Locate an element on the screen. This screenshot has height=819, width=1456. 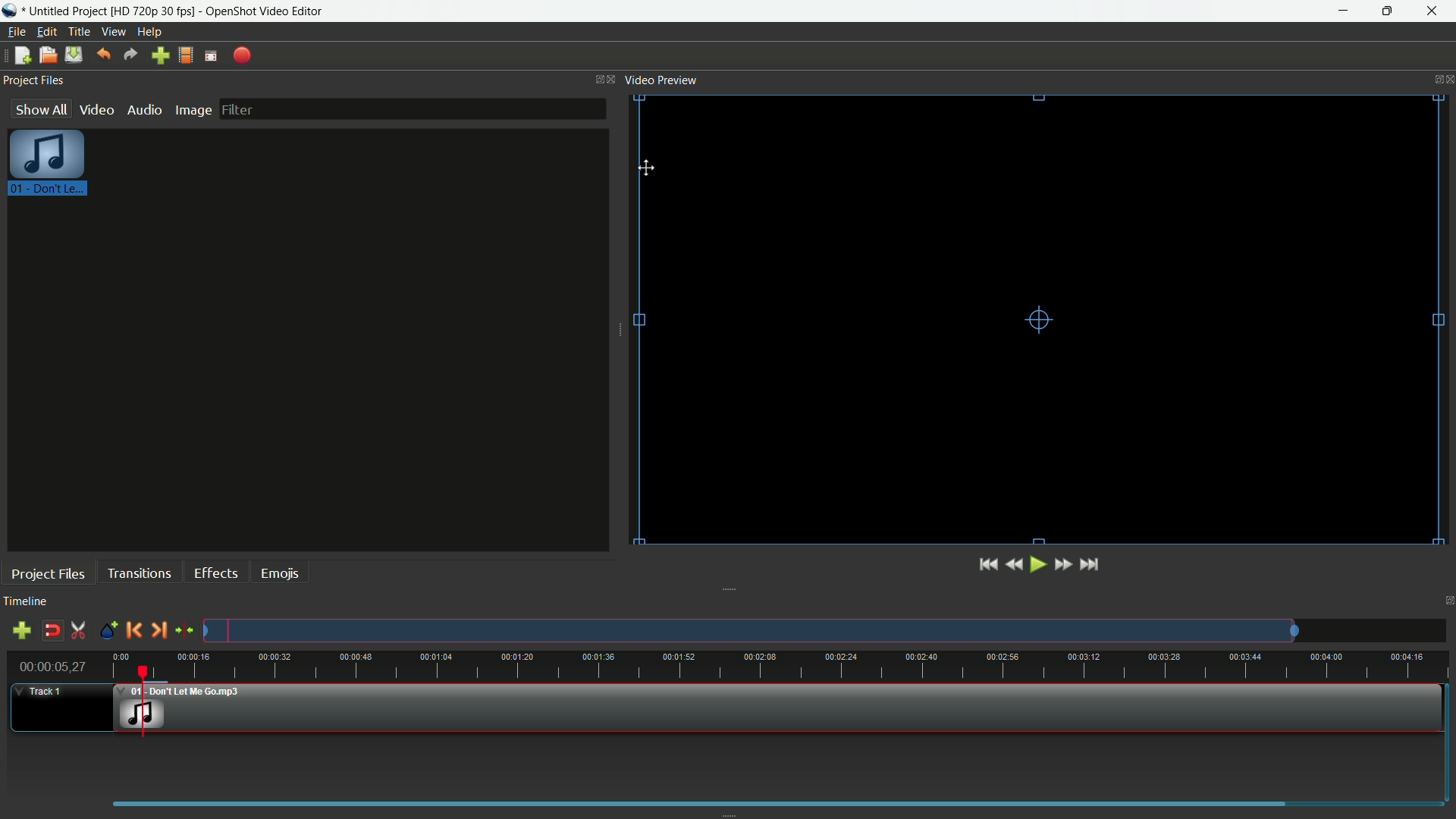
close project files is located at coordinates (613, 78).